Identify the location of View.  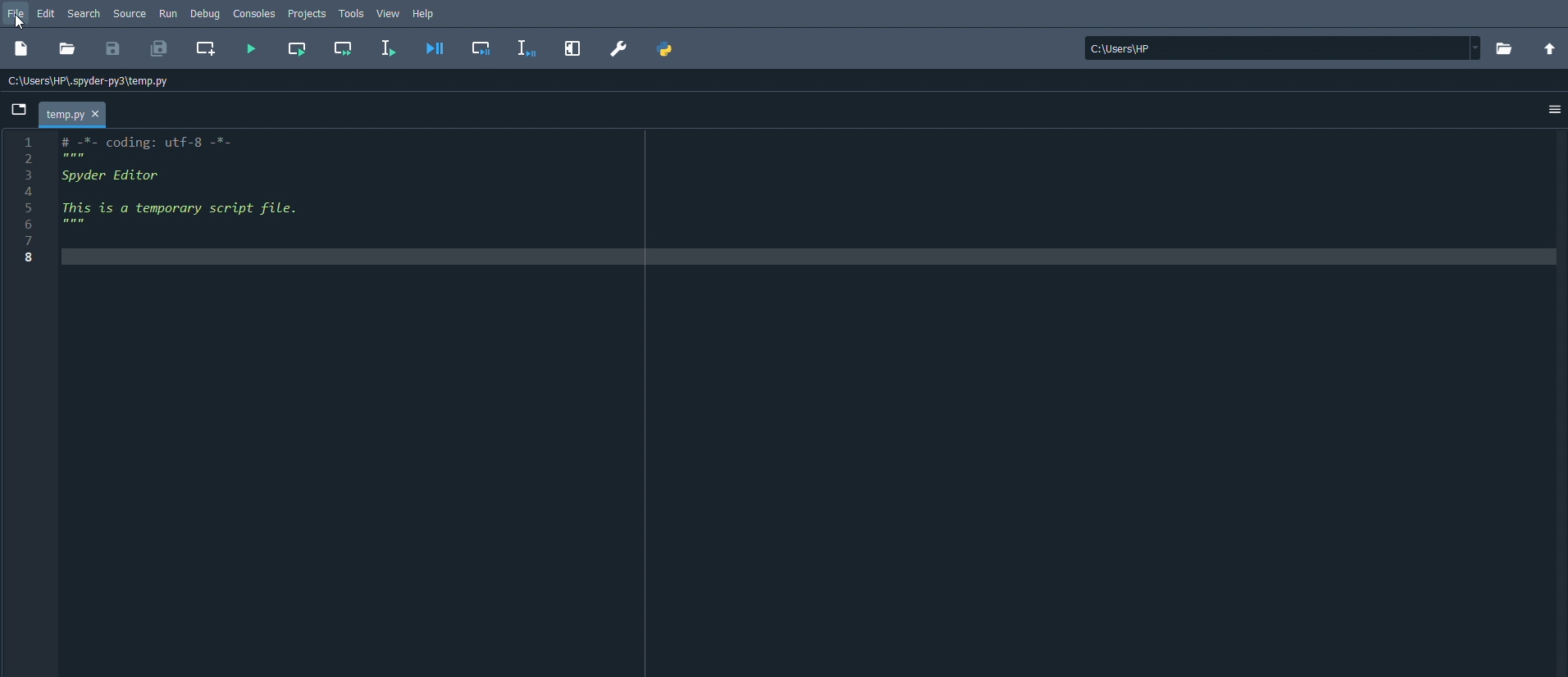
(389, 11).